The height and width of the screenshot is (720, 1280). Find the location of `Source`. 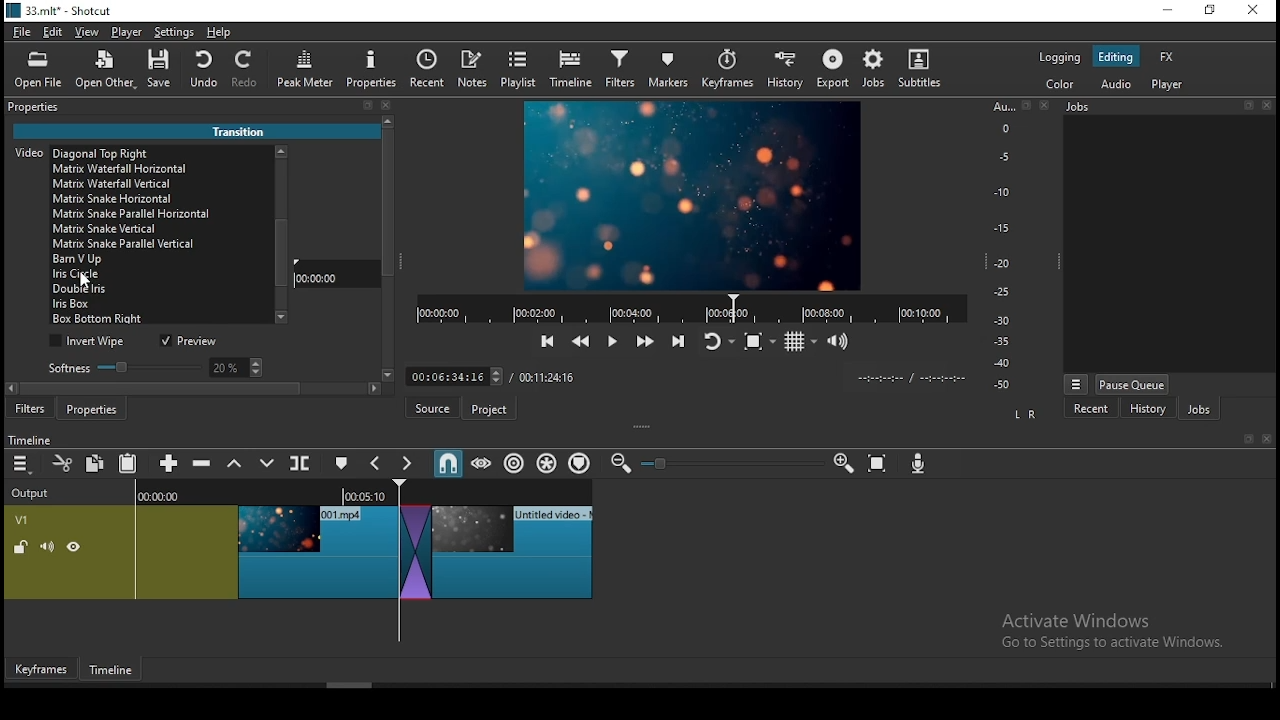

Source is located at coordinates (430, 408).